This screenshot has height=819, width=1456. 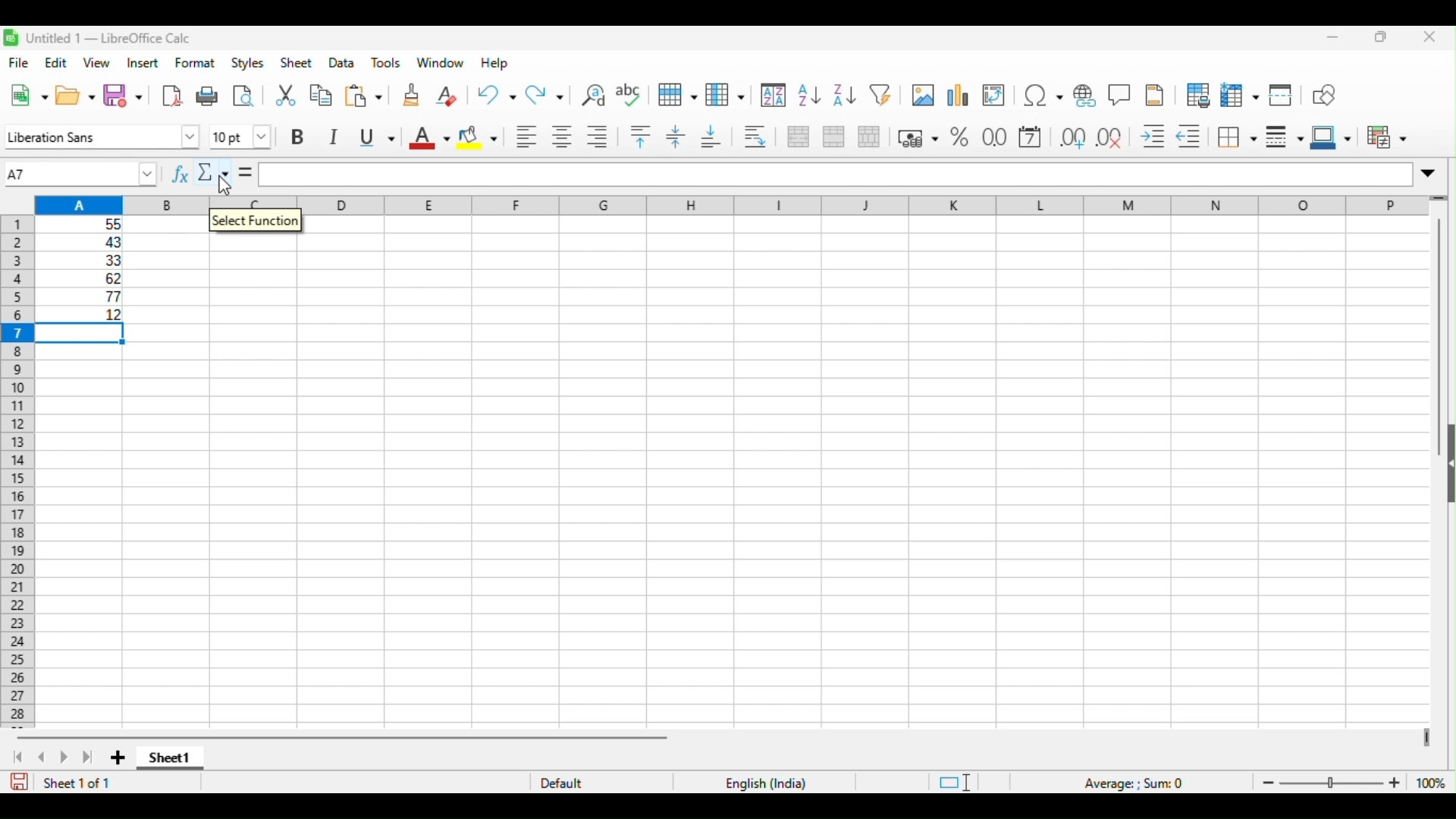 What do you see at coordinates (836, 173) in the screenshot?
I see `formula` at bounding box center [836, 173].